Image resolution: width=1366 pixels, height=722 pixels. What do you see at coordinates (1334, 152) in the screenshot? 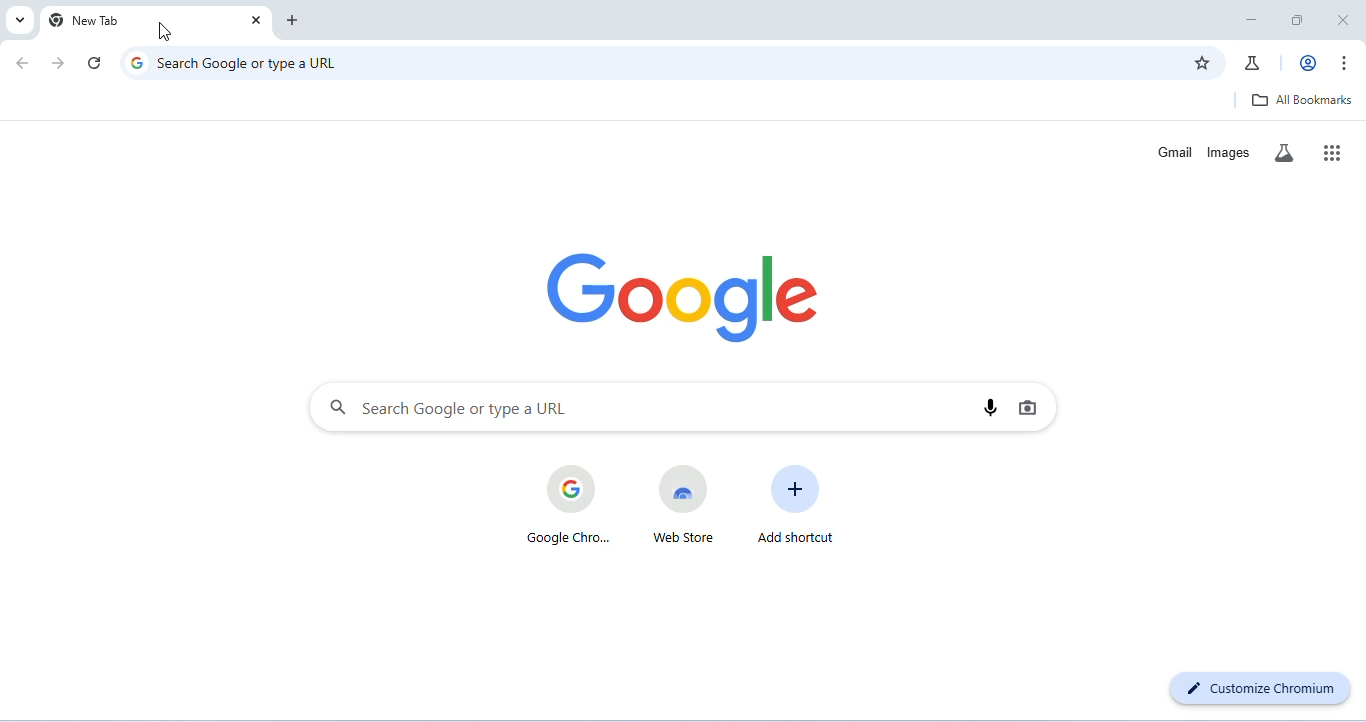
I see `google apps` at bounding box center [1334, 152].